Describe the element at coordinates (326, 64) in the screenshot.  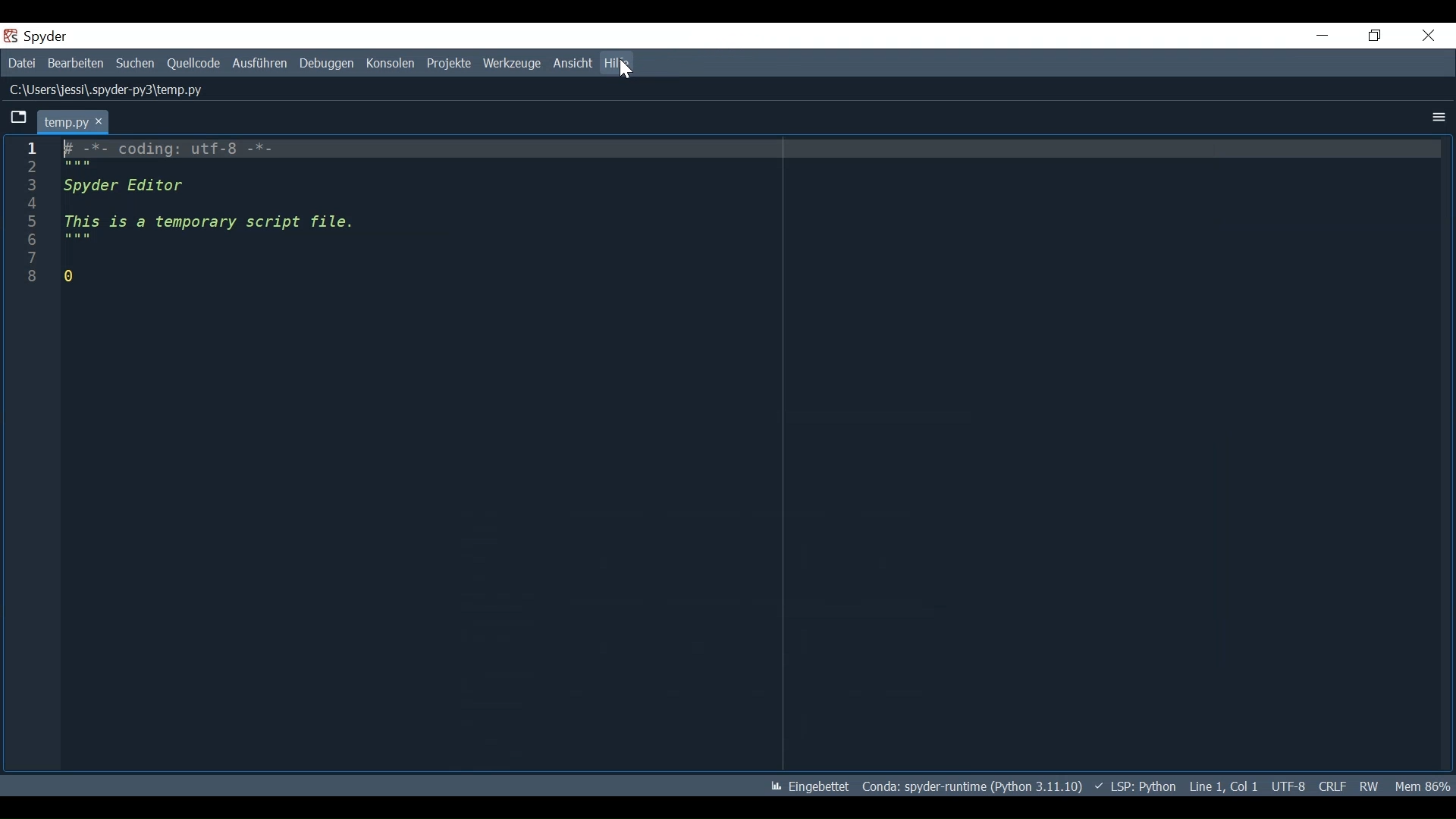
I see `Debug` at that location.